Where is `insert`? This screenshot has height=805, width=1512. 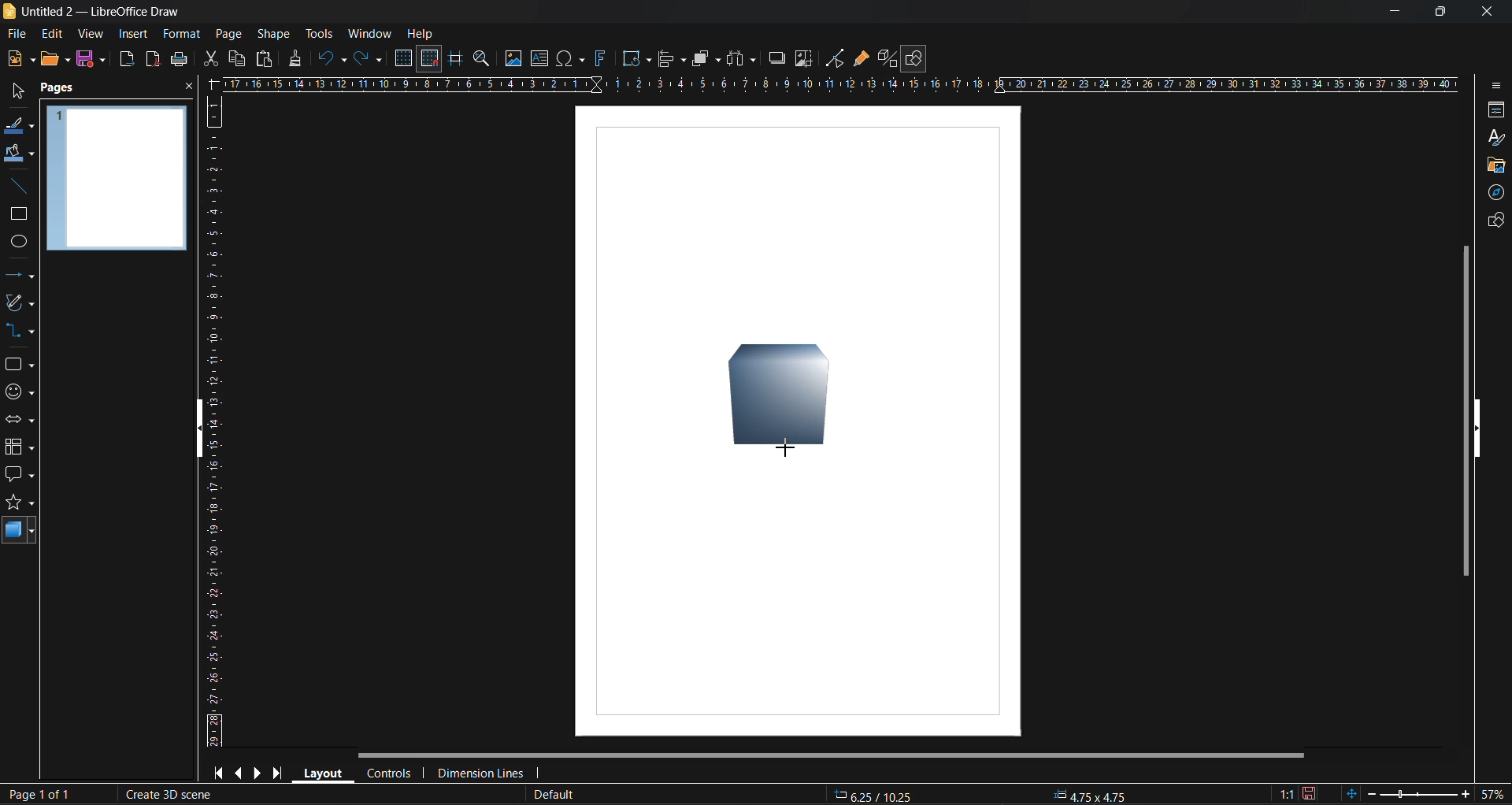 insert is located at coordinates (133, 33).